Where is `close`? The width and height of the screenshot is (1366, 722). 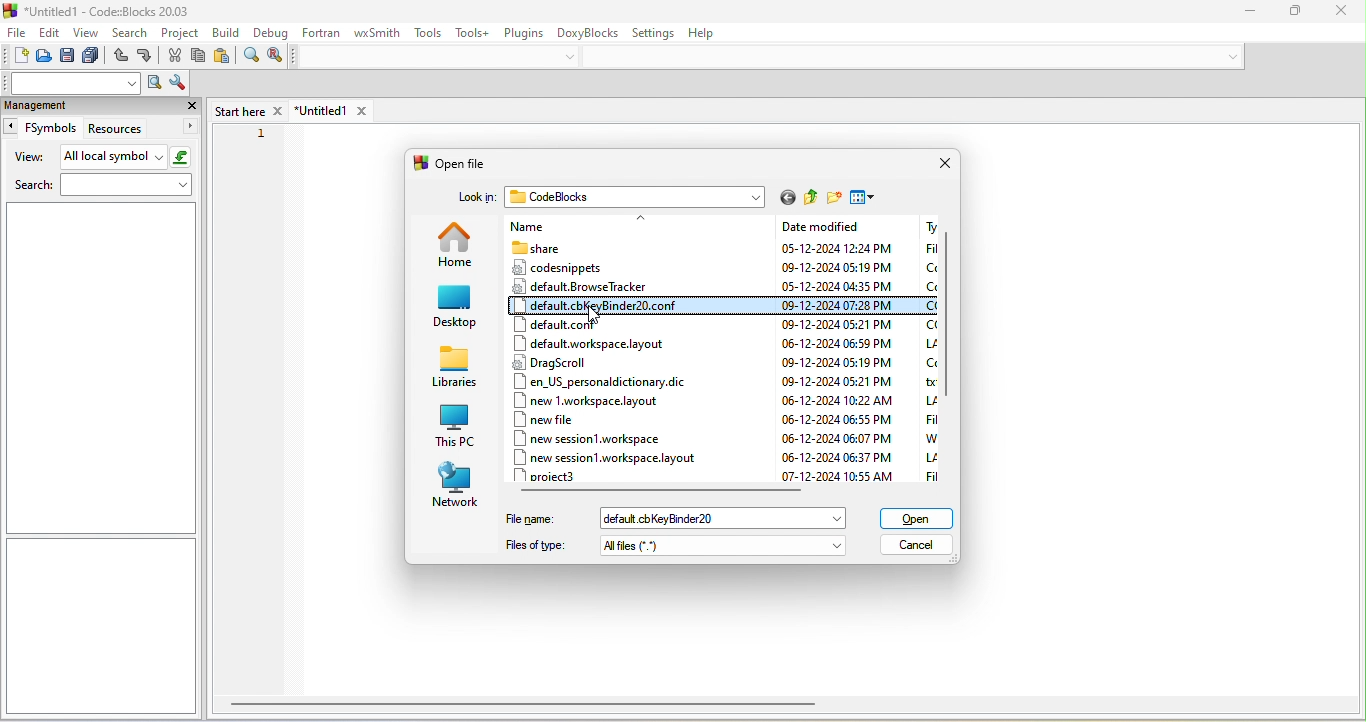
close is located at coordinates (191, 106).